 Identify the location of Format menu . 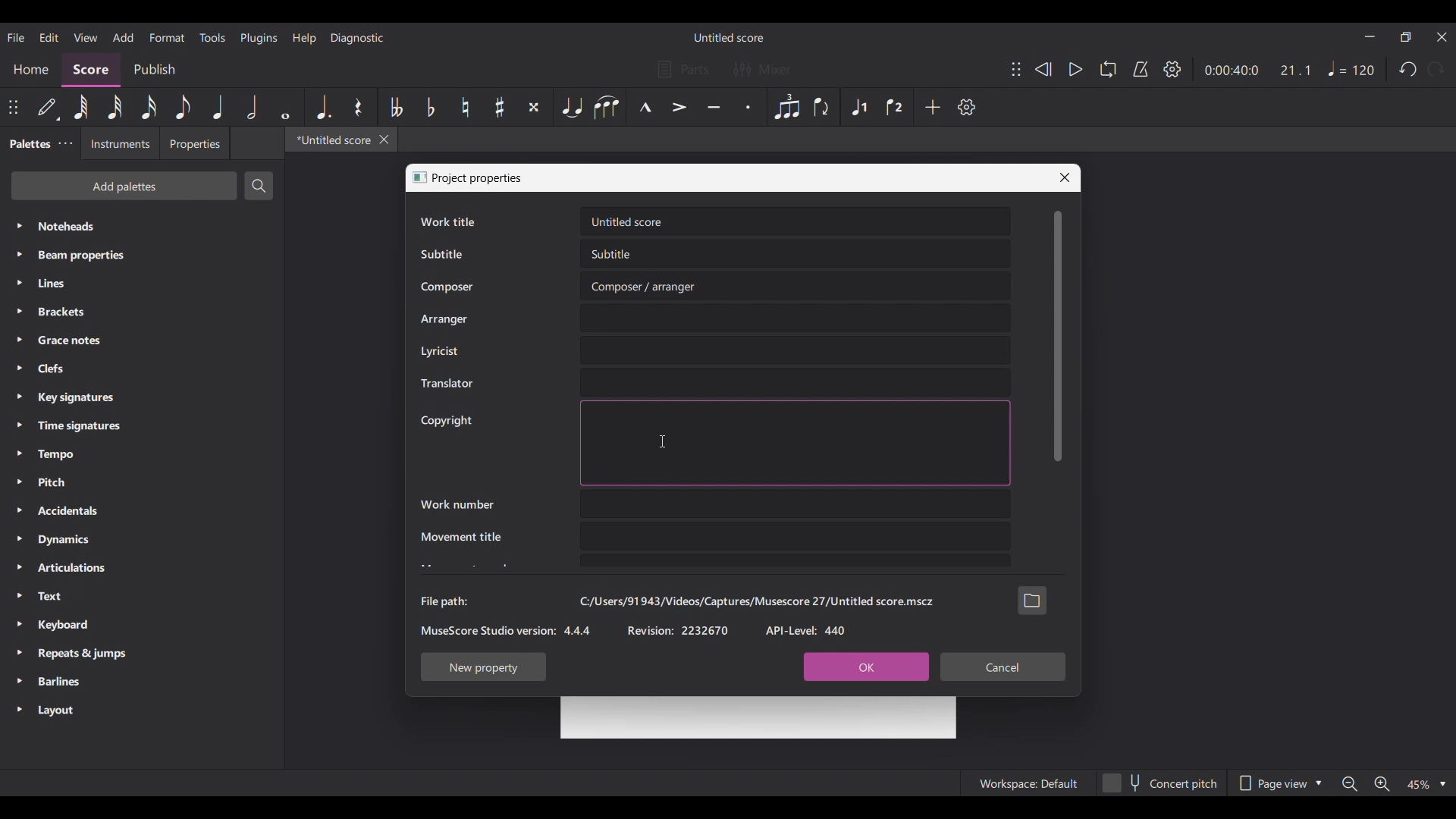
(168, 38).